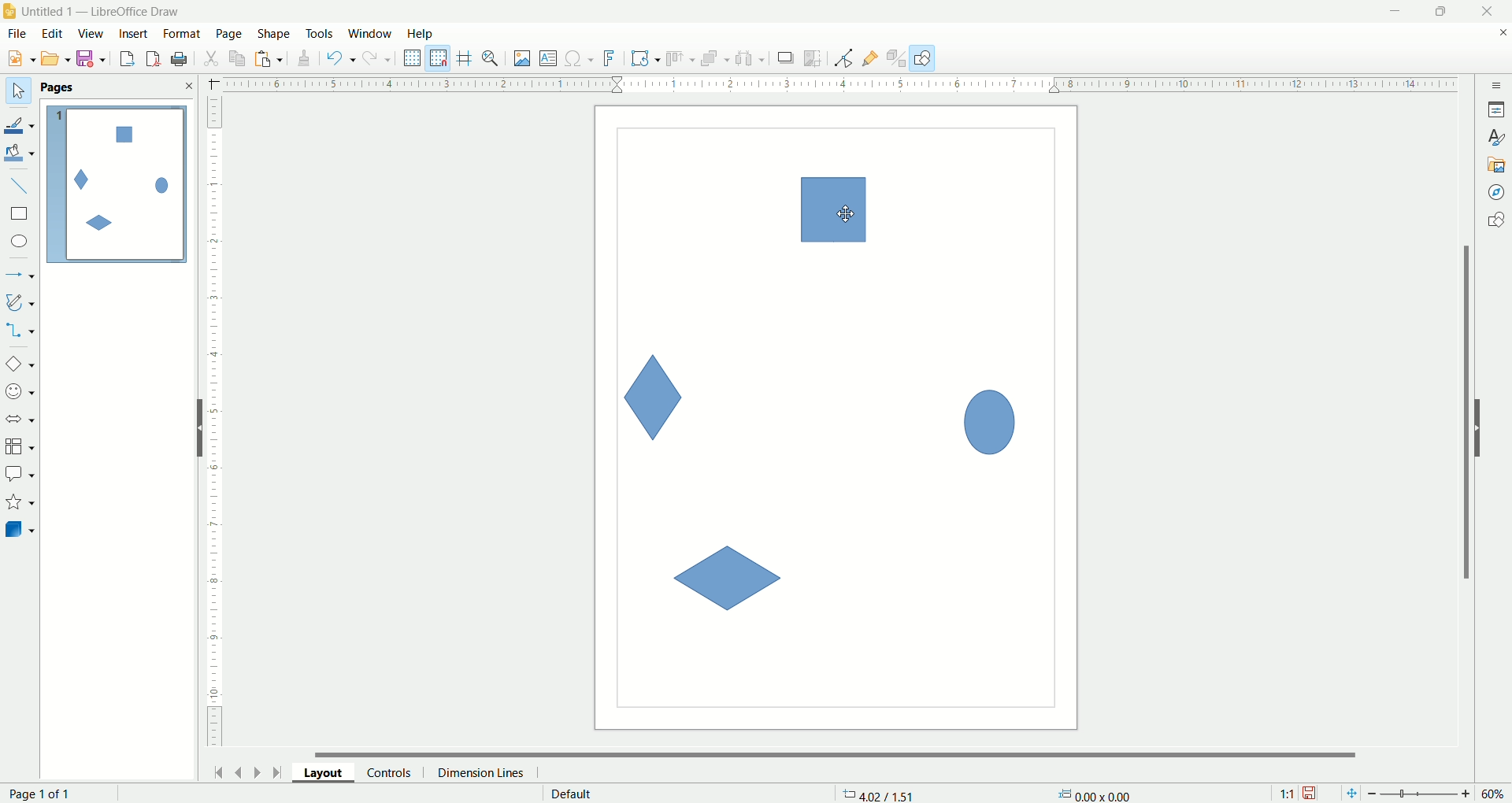 The height and width of the screenshot is (803, 1512). I want to click on crop image, so click(813, 58).